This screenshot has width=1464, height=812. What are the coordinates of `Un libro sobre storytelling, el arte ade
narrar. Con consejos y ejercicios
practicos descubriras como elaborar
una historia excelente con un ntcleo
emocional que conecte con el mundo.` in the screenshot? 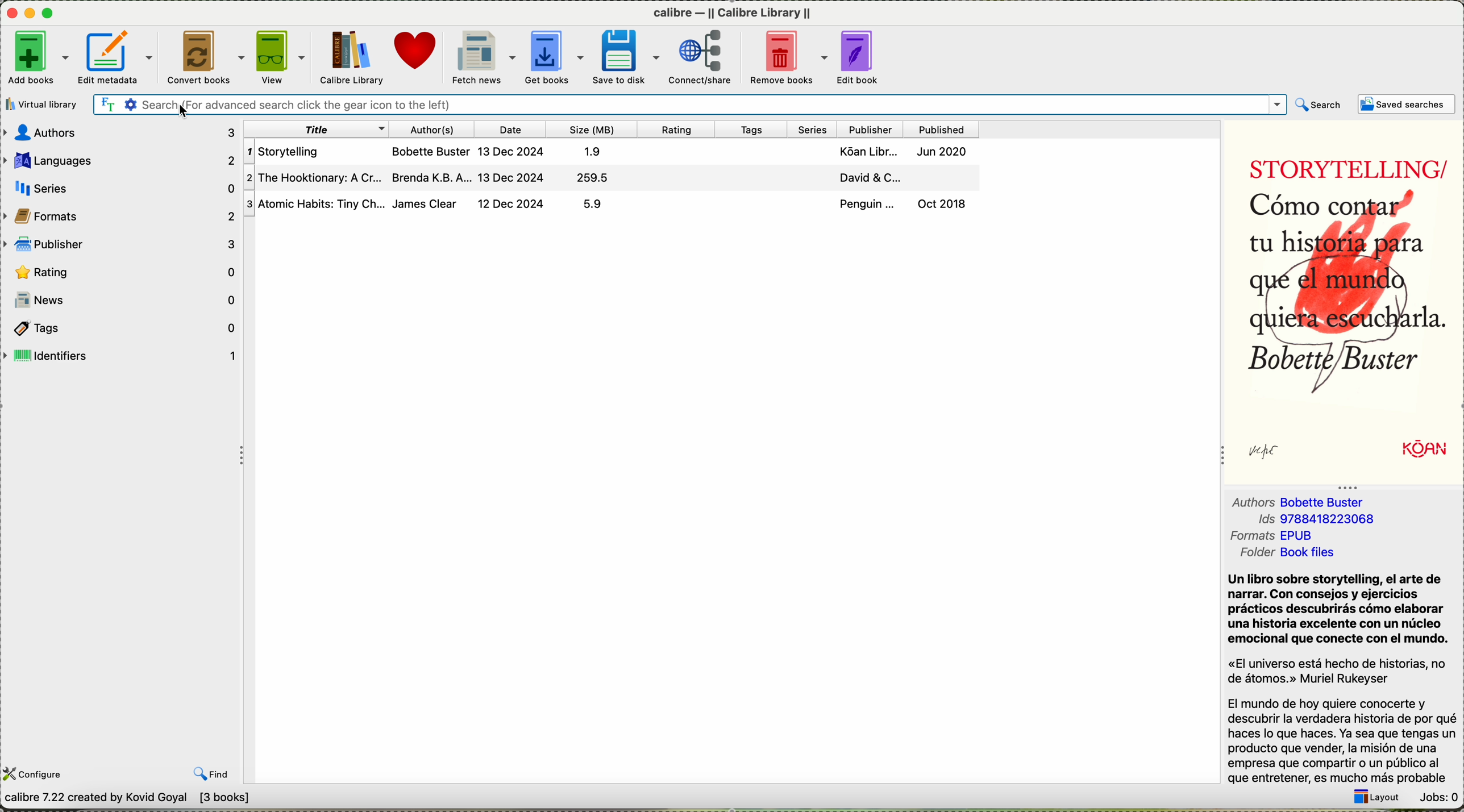 It's located at (1338, 610).